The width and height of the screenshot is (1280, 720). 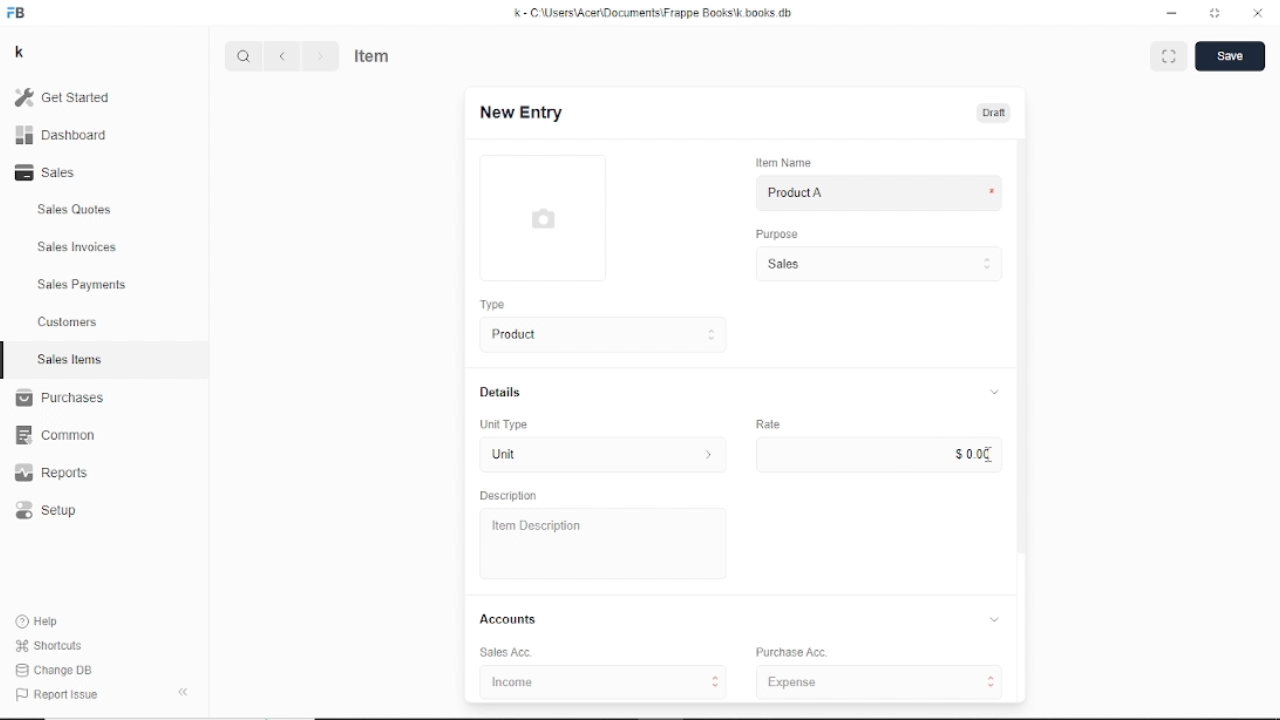 What do you see at coordinates (657, 13) in the screenshot?
I see `K -C\Users\Acer\Documents\ Frappe Books\k books db` at bounding box center [657, 13].